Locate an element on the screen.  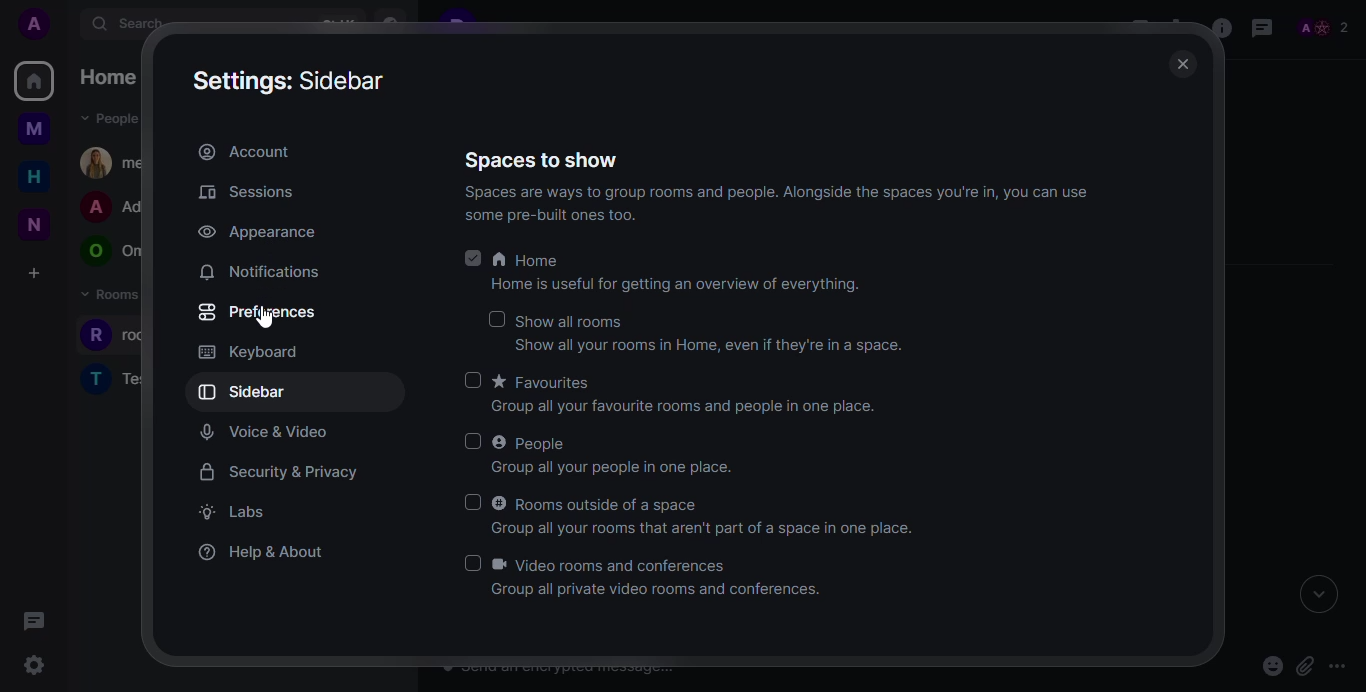
preferences is located at coordinates (258, 311).